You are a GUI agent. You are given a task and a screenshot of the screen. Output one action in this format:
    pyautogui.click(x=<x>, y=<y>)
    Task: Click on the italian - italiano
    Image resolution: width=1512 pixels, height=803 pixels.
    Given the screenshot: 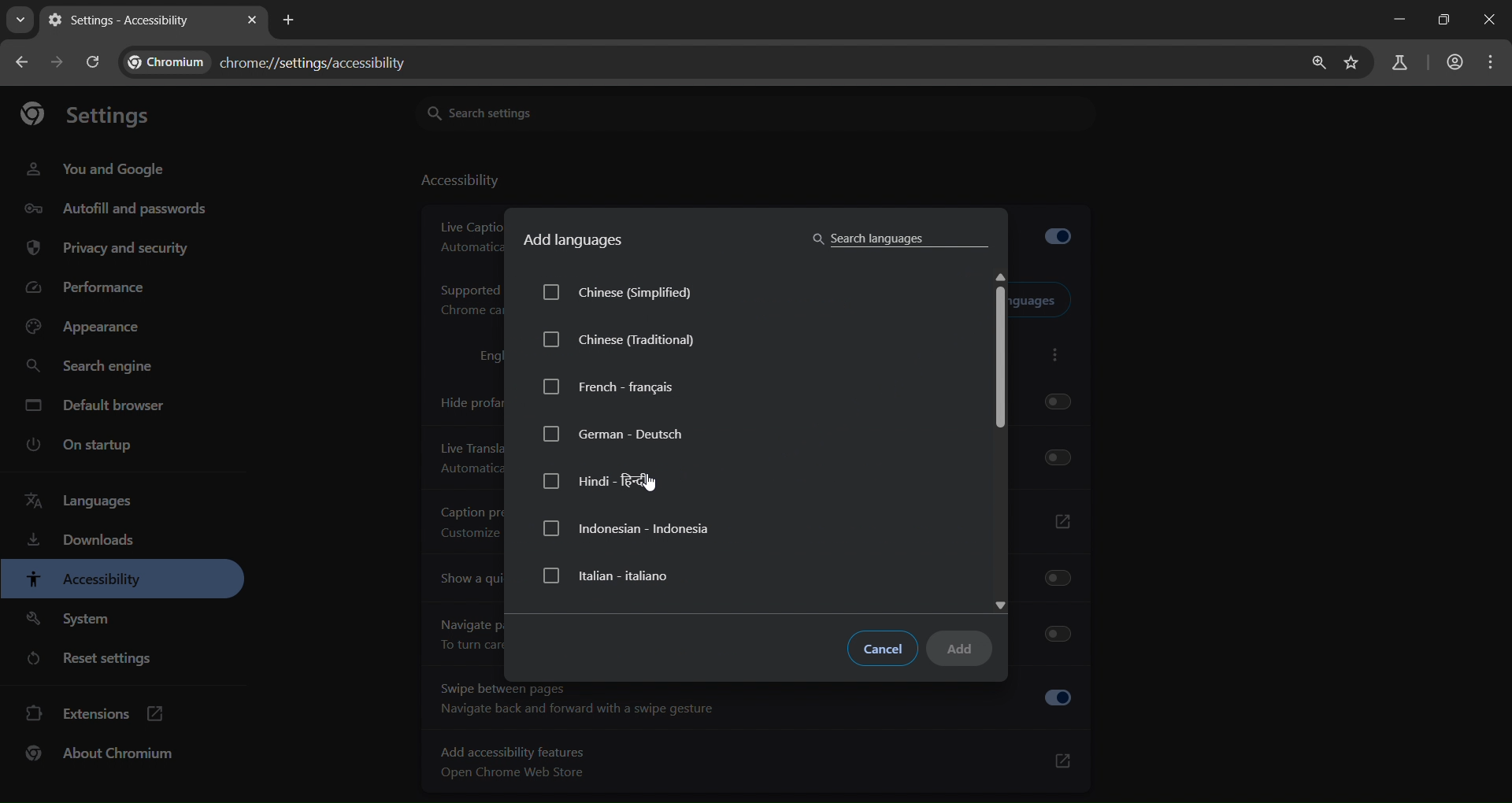 What is the action you would take?
    pyautogui.click(x=610, y=575)
    